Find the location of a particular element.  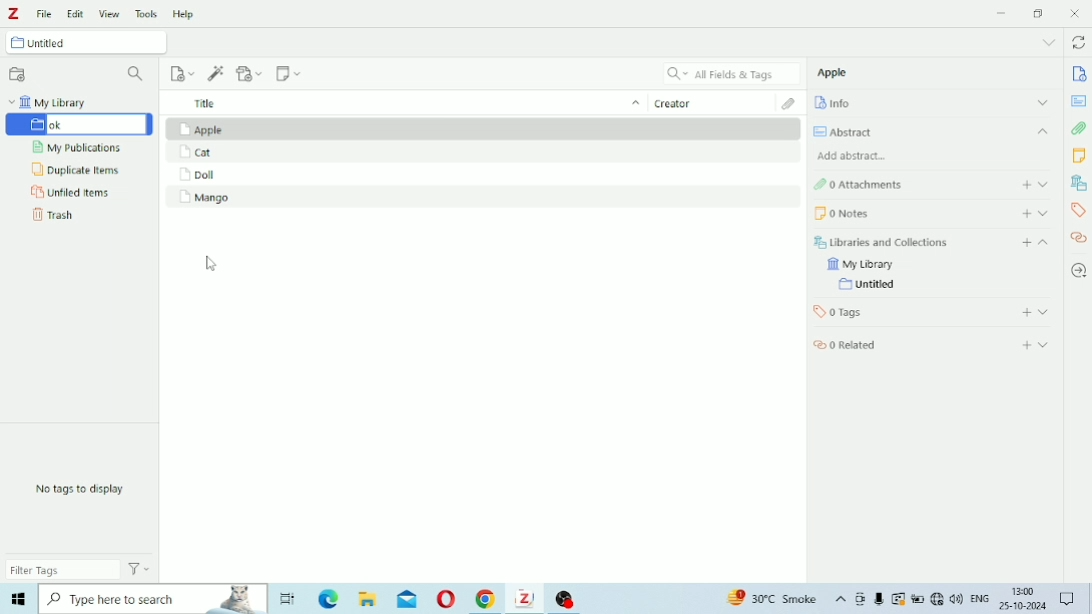

 is located at coordinates (444, 597).